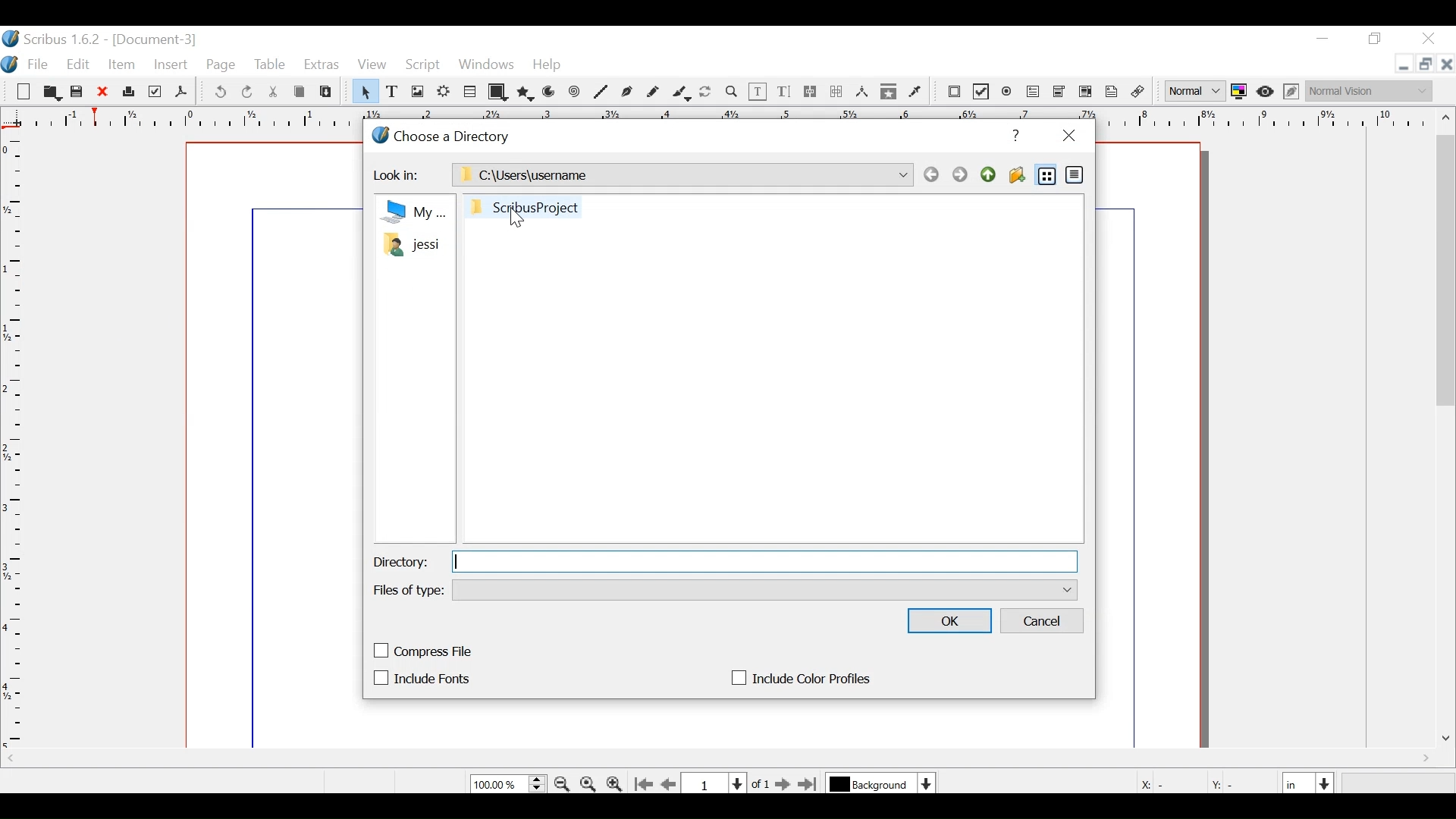 This screenshot has height=819, width=1456. I want to click on Unlink text frame, so click(836, 92).